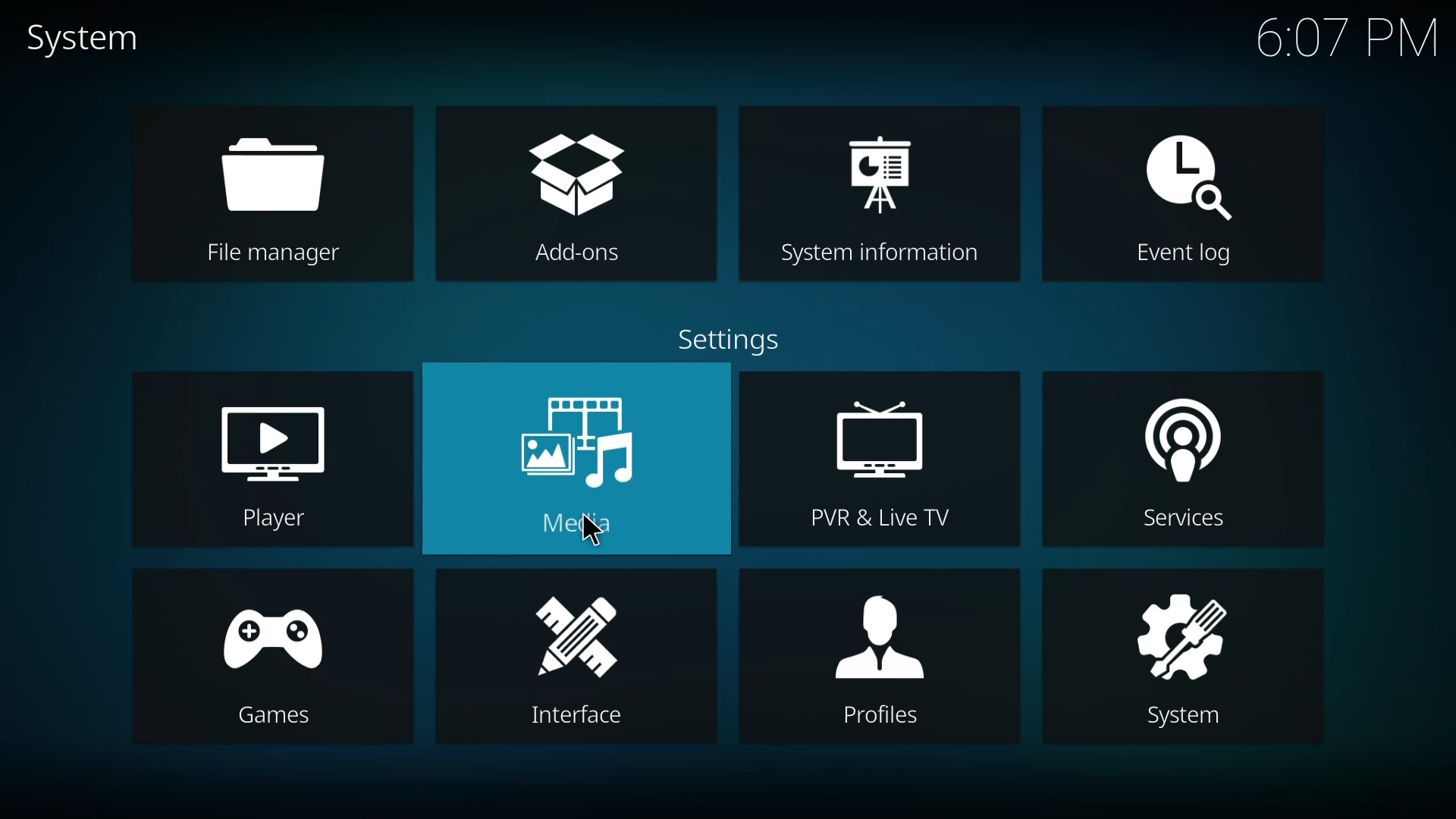 This screenshot has width=1456, height=819. I want to click on 6:07 PM, so click(1348, 45).